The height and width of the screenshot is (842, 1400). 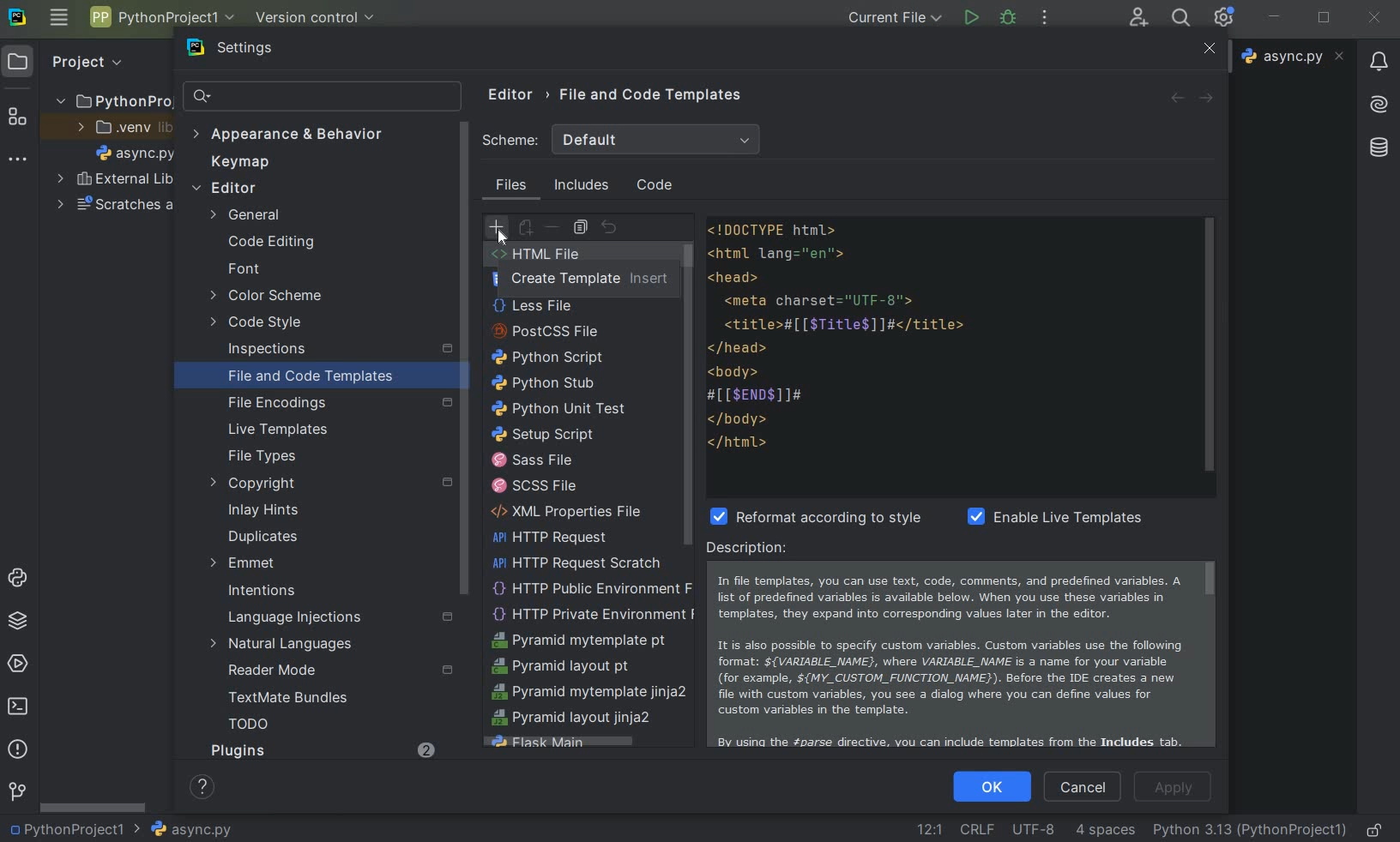 What do you see at coordinates (539, 743) in the screenshot?
I see `flask main` at bounding box center [539, 743].